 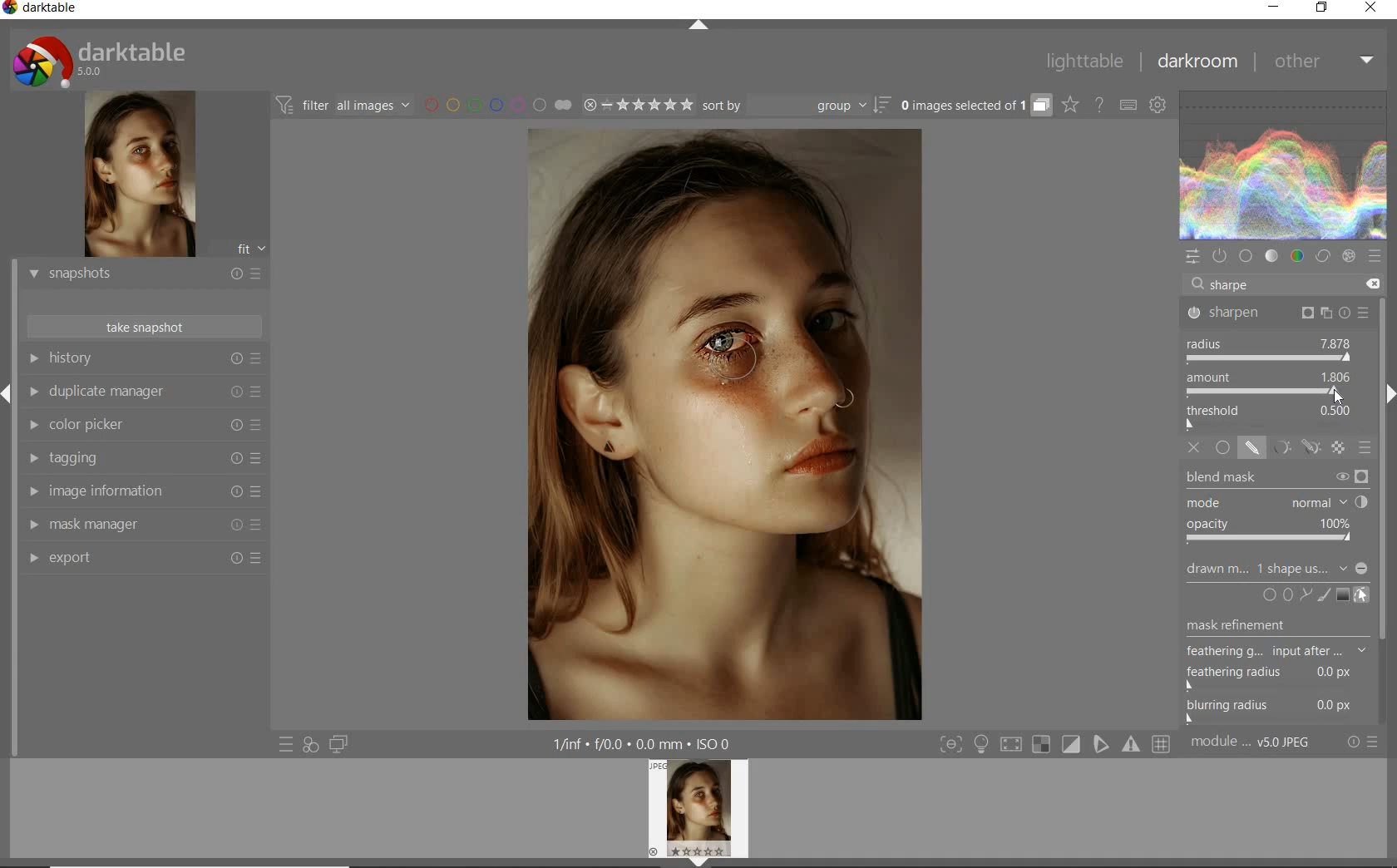 What do you see at coordinates (795, 106) in the screenshot?
I see `sort` at bounding box center [795, 106].